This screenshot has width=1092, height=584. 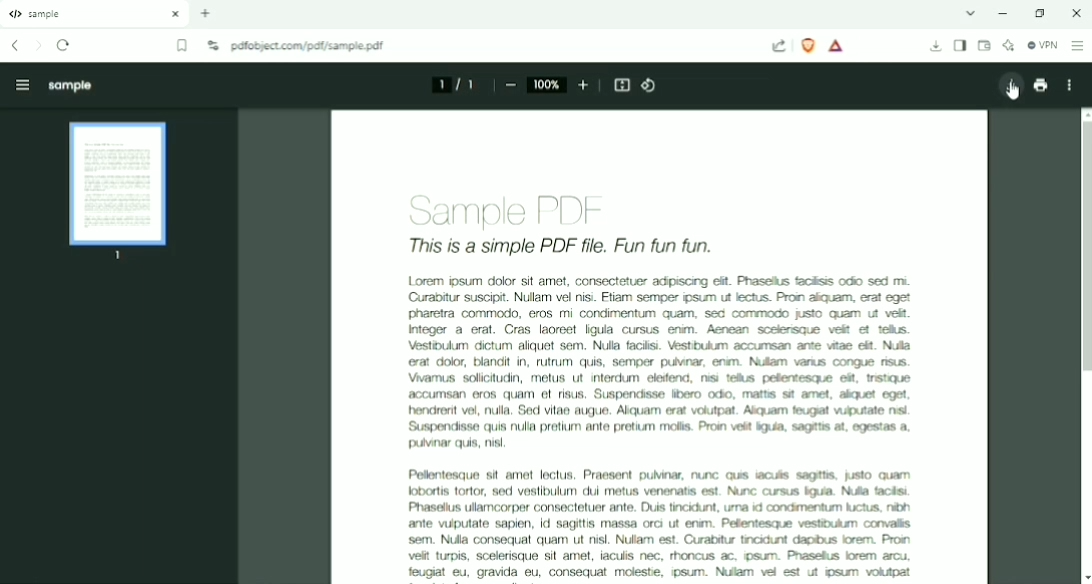 What do you see at coordinates (1082, 249) in the screenshot?
I see `Vertical scrollbar` at bounding box center [1082, 249].